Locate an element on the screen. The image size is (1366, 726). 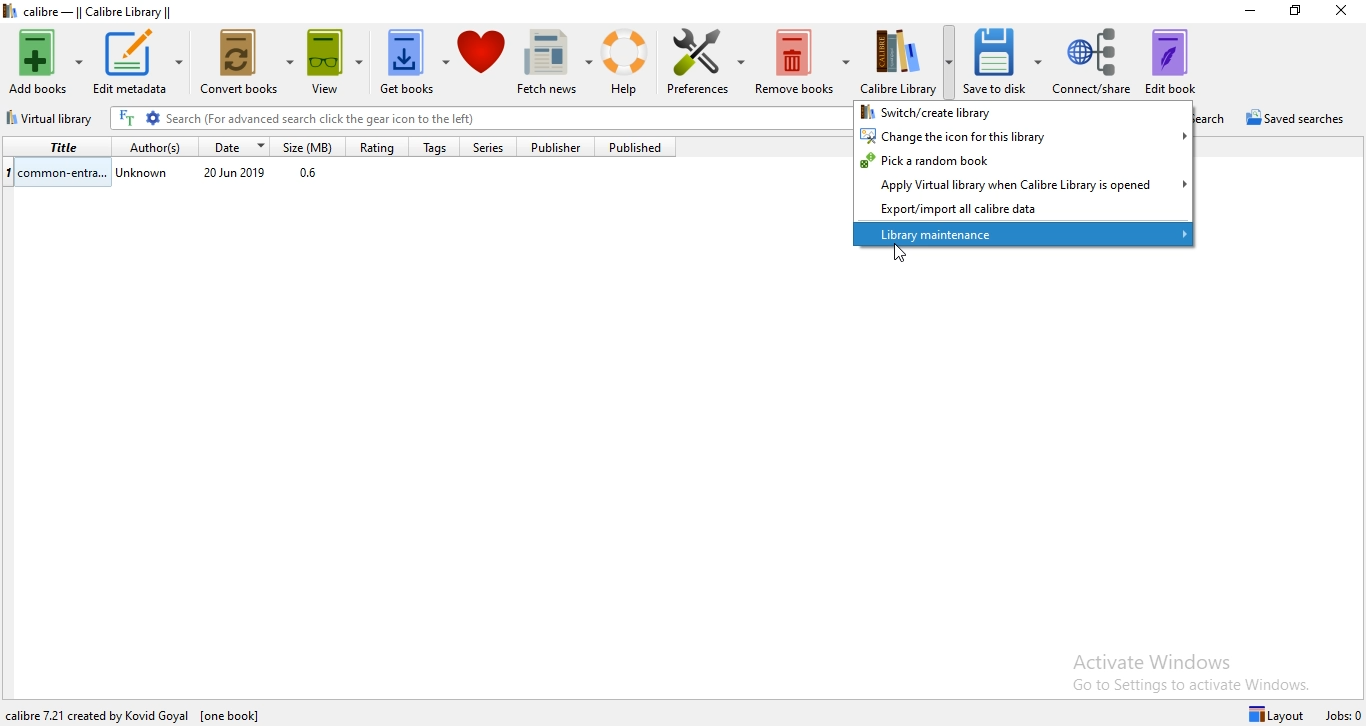
Edit book is located at coordinates (1181, 58).